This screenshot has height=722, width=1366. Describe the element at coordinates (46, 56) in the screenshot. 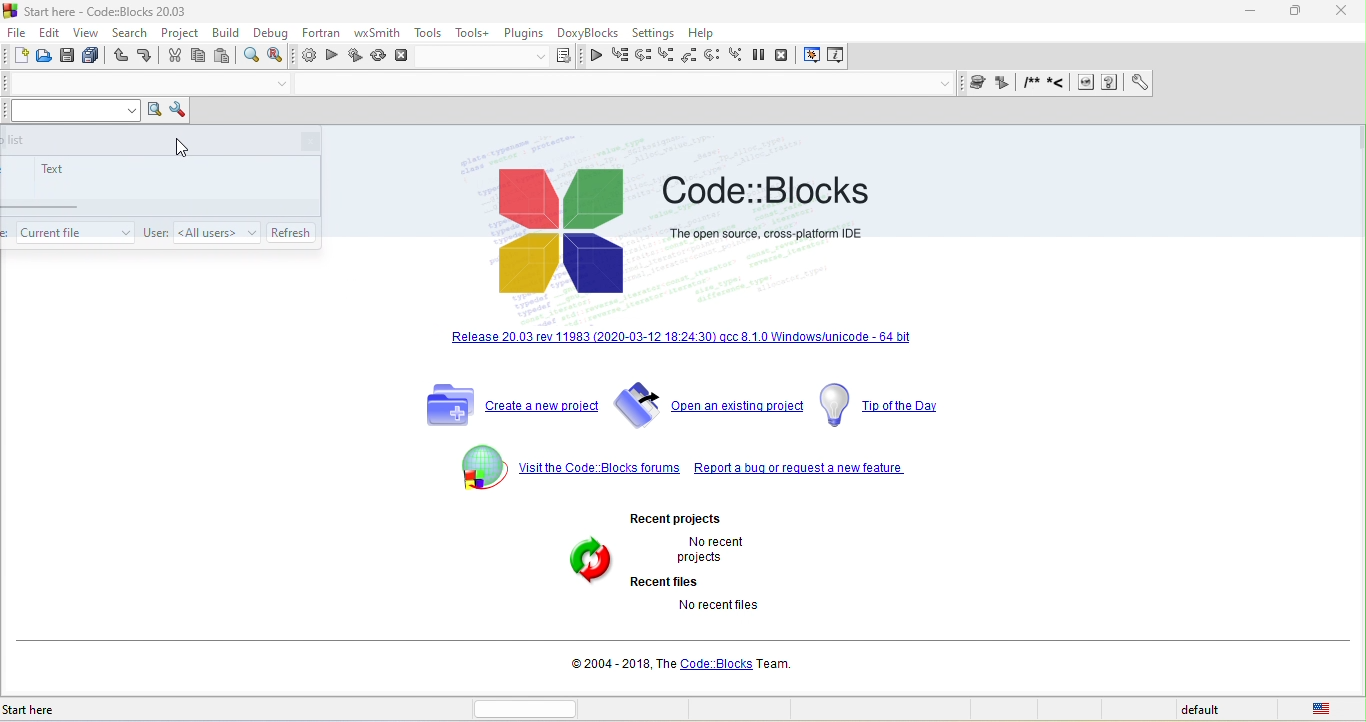

I see `open` at that location.